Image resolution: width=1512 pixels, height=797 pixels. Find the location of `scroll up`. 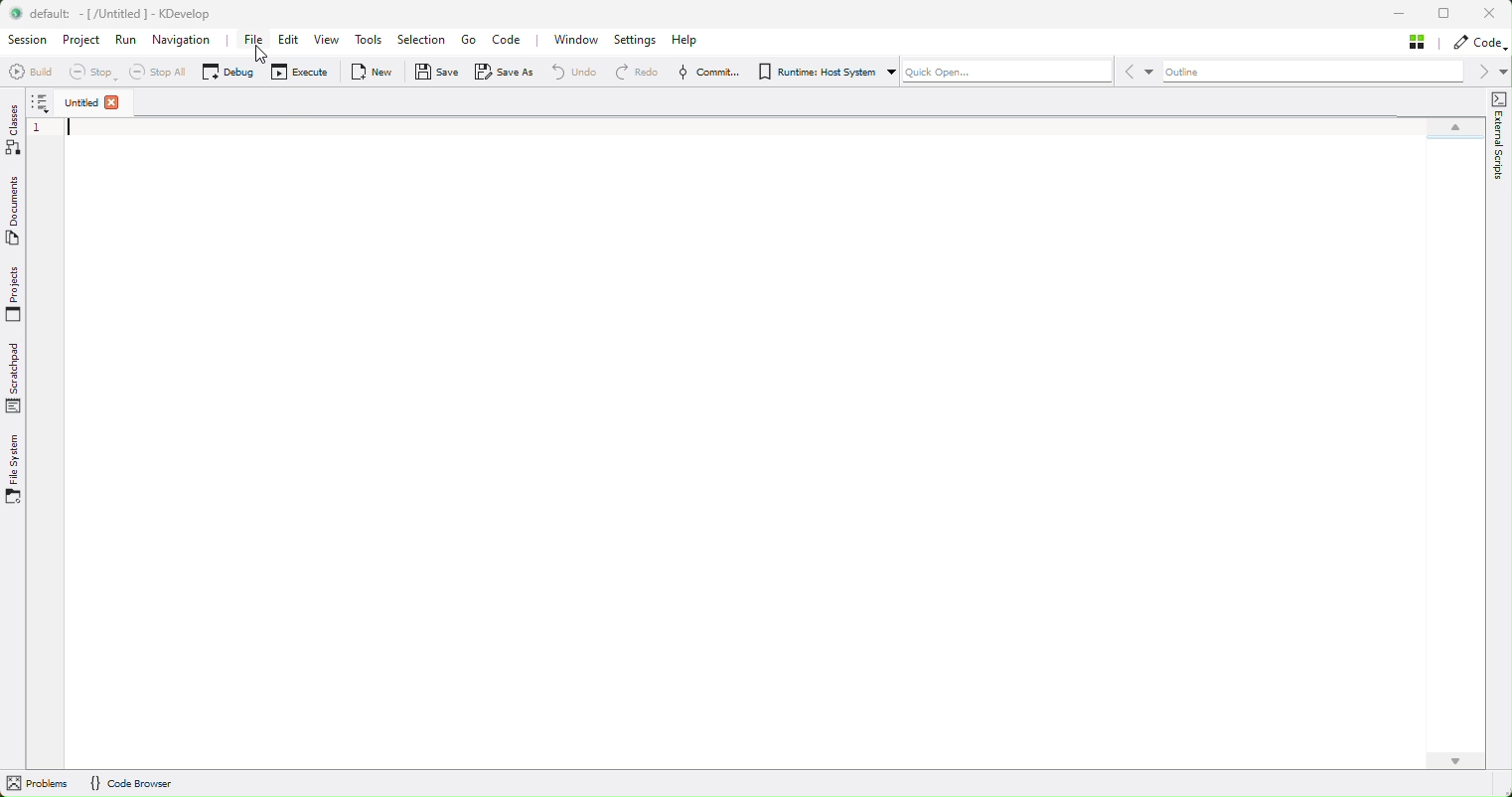

scroll up is located at coordinates (1453, 128).